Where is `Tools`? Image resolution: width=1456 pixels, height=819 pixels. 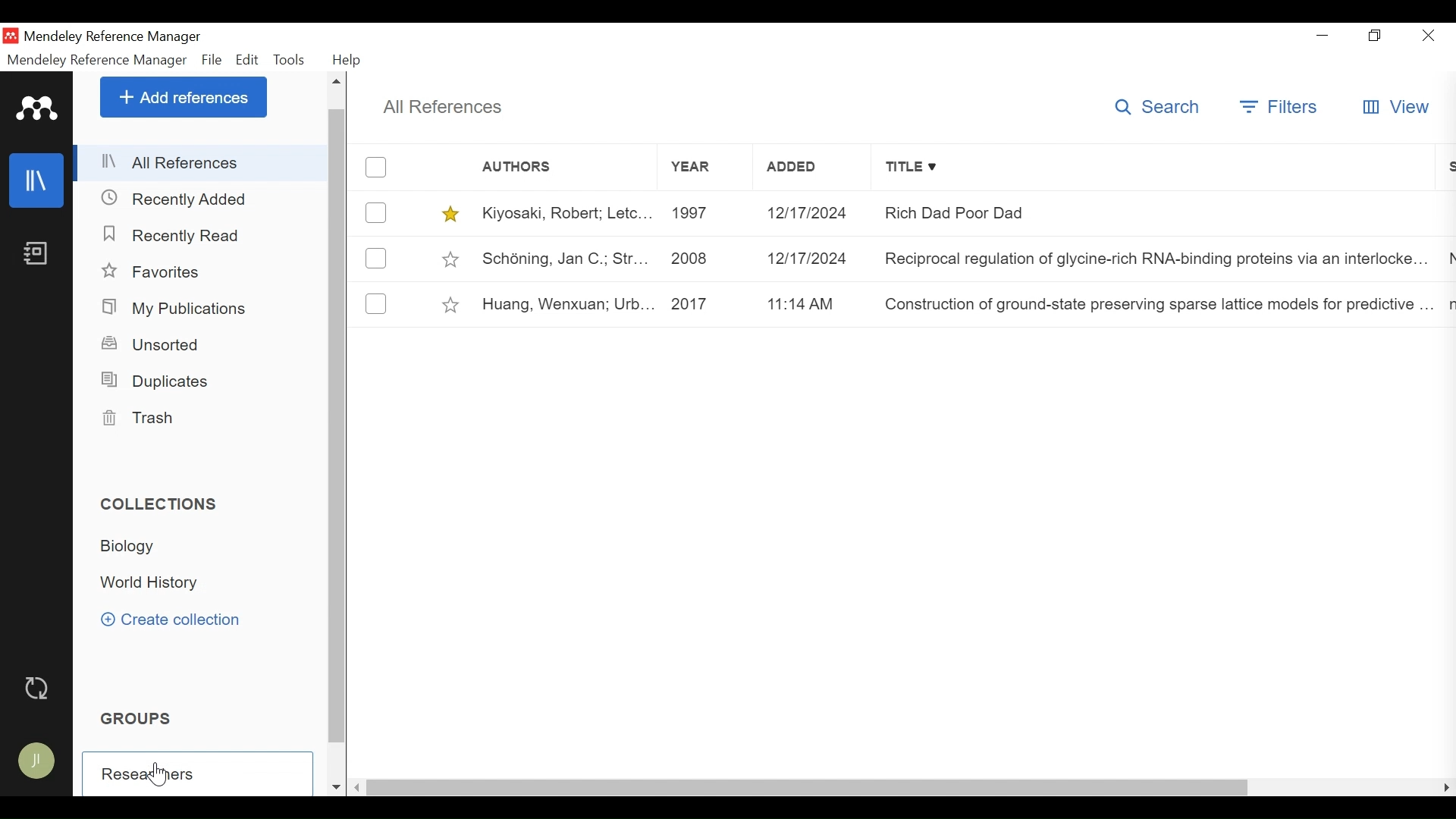 Tools is located at coordinates (290, 60).